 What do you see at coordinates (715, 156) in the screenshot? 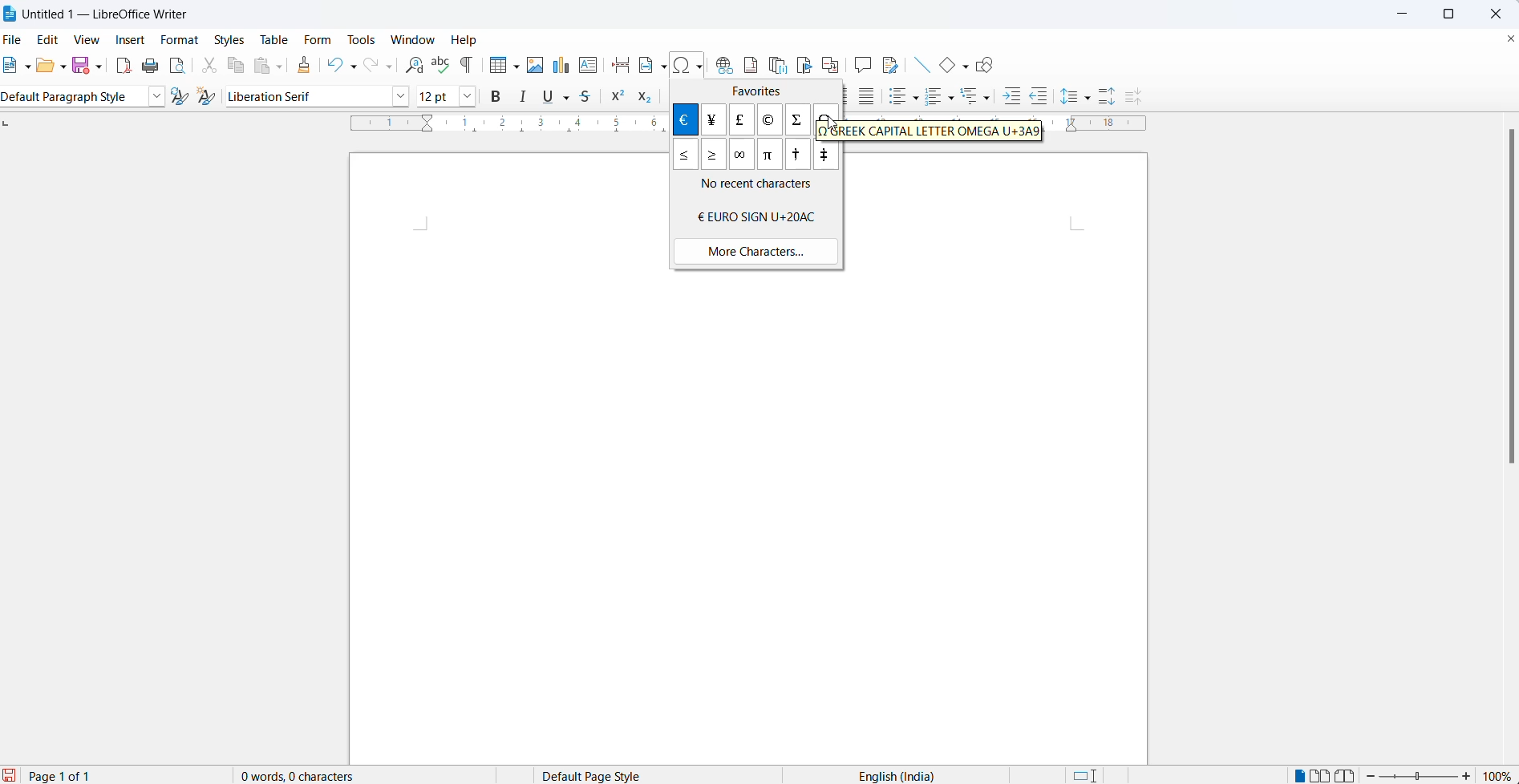
I see `greater than equal to` at bounding box center [715, 156].